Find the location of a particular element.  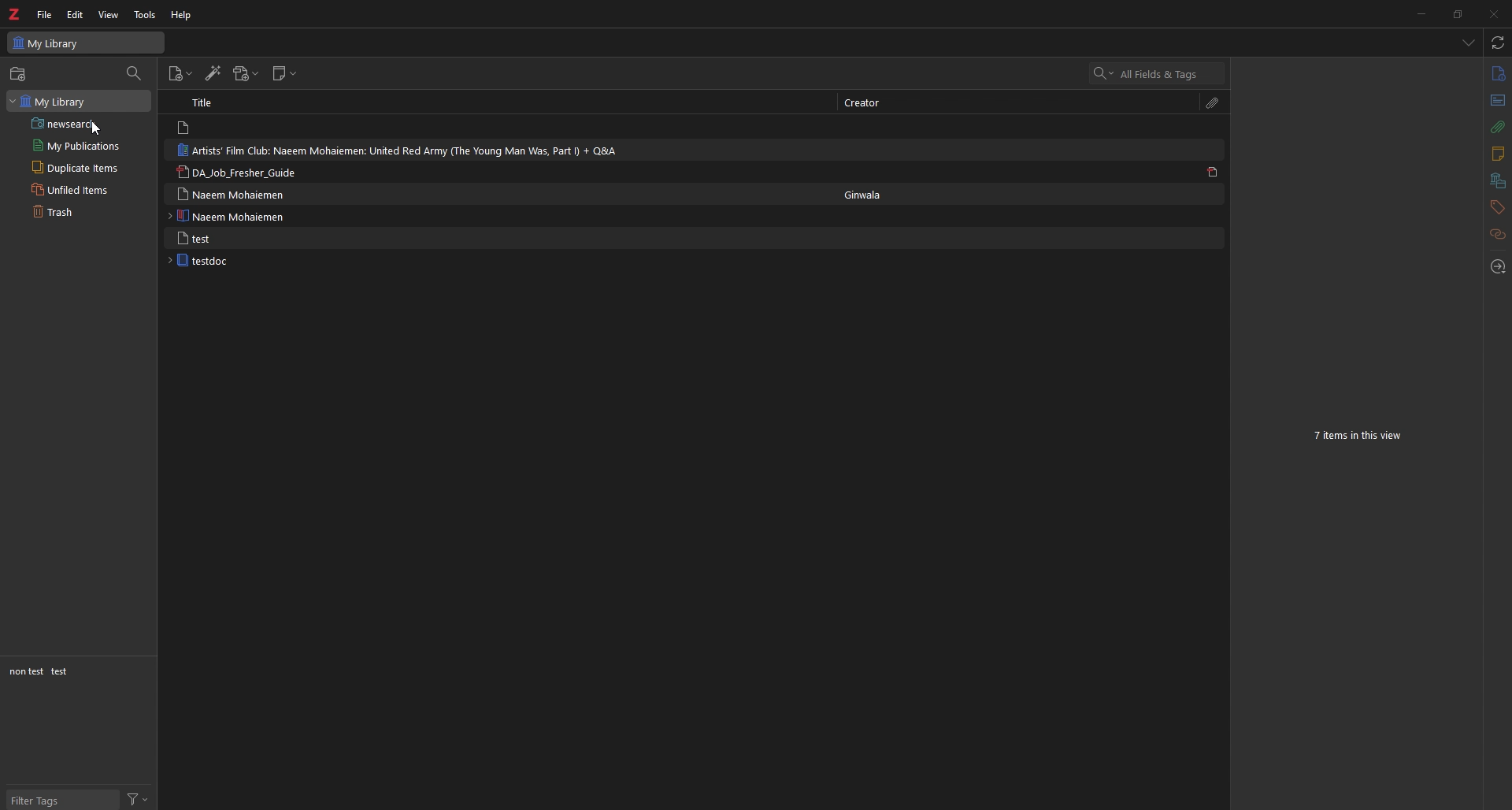

New item is located at coordinates (178, 74).